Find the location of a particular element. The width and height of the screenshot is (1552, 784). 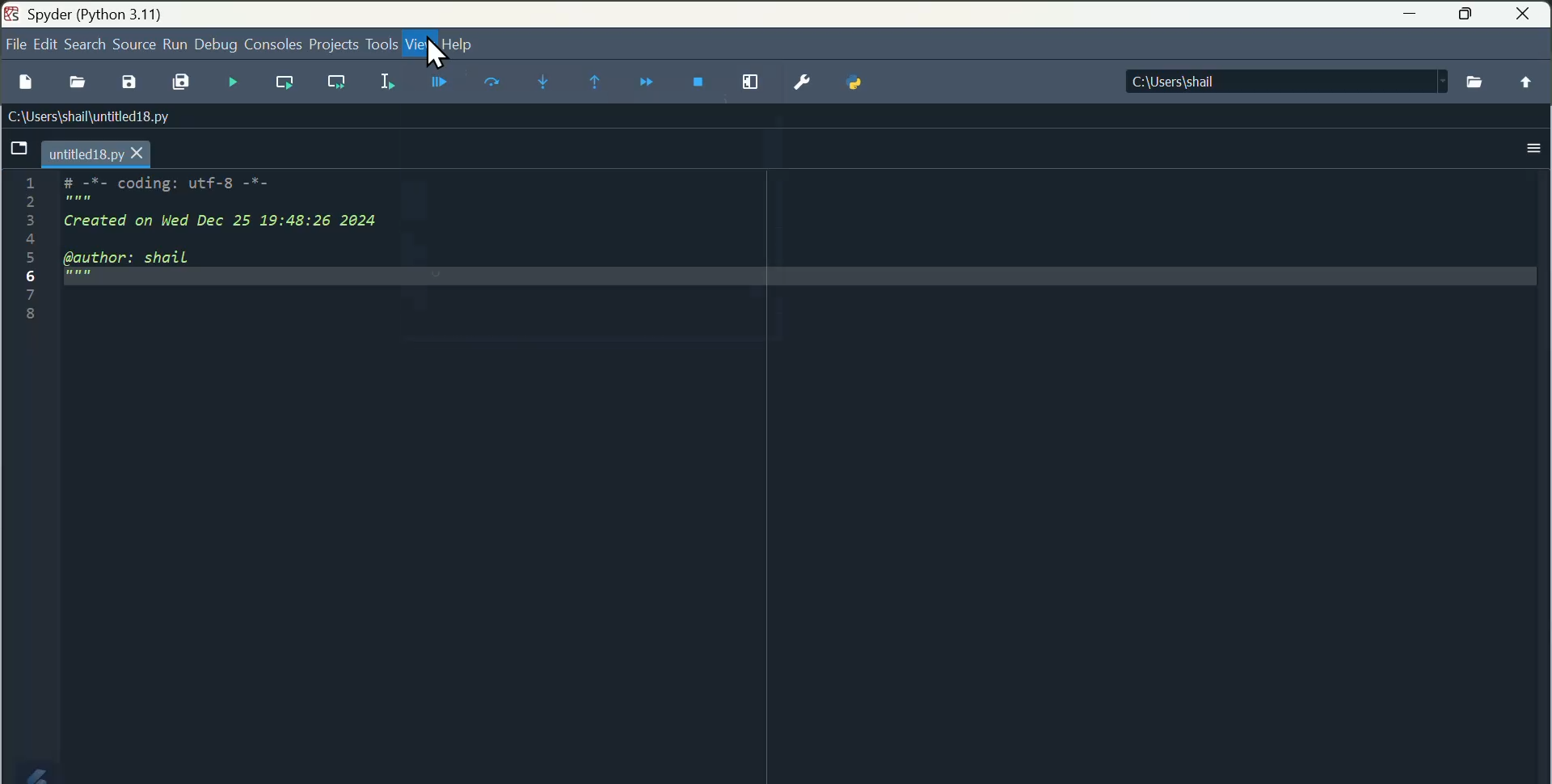

Search is located at coordinates (82, 44).